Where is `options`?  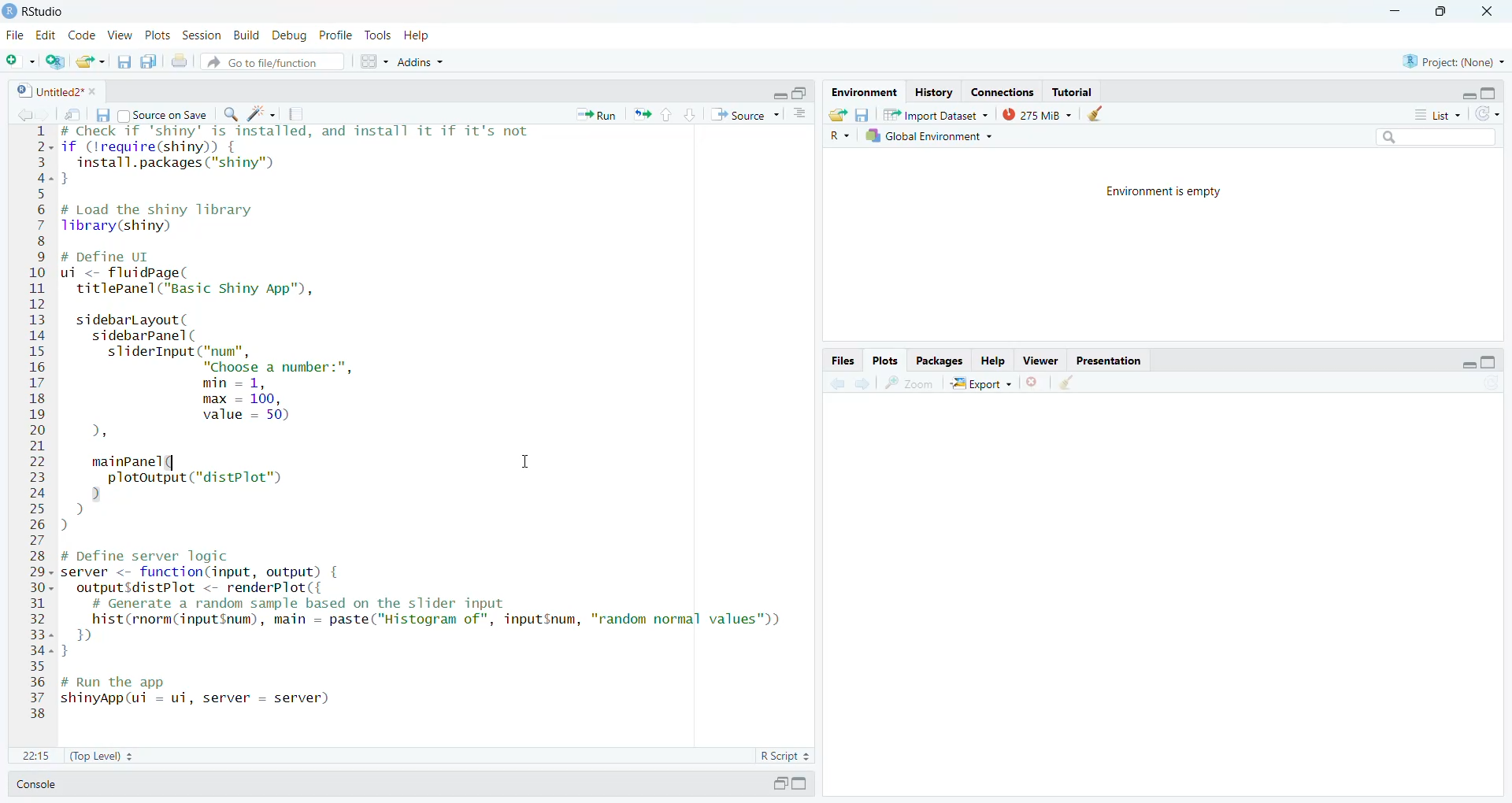 options is located at coordinates (374, 61).